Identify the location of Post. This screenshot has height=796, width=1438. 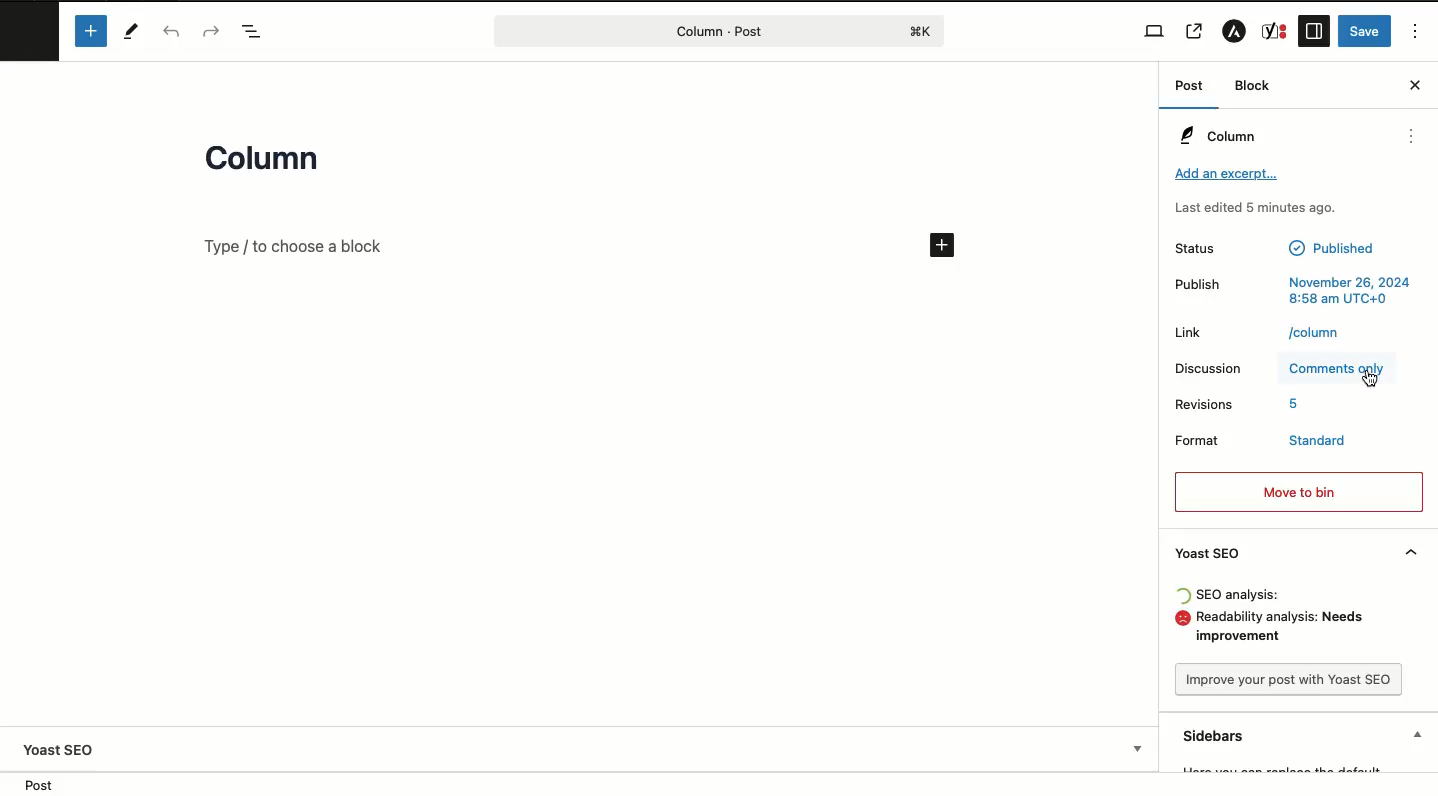
(699, 31).